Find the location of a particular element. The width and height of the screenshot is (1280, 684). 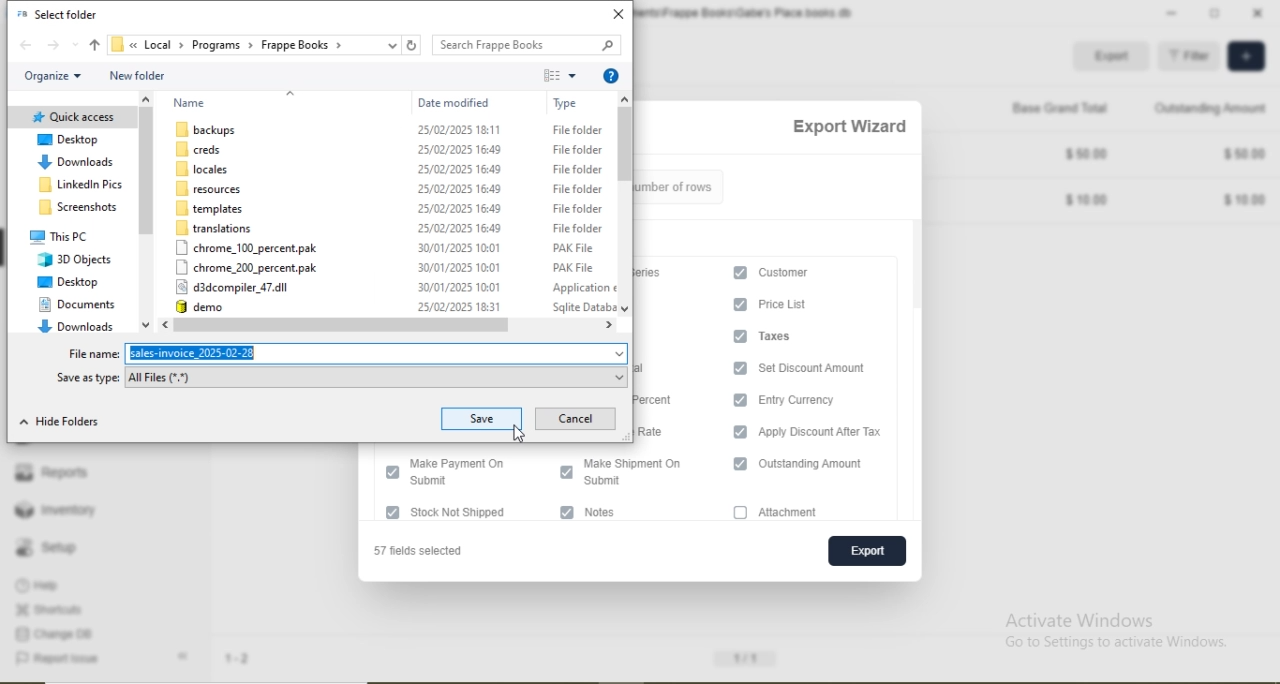

Price List is located at coordinates (797, 304).